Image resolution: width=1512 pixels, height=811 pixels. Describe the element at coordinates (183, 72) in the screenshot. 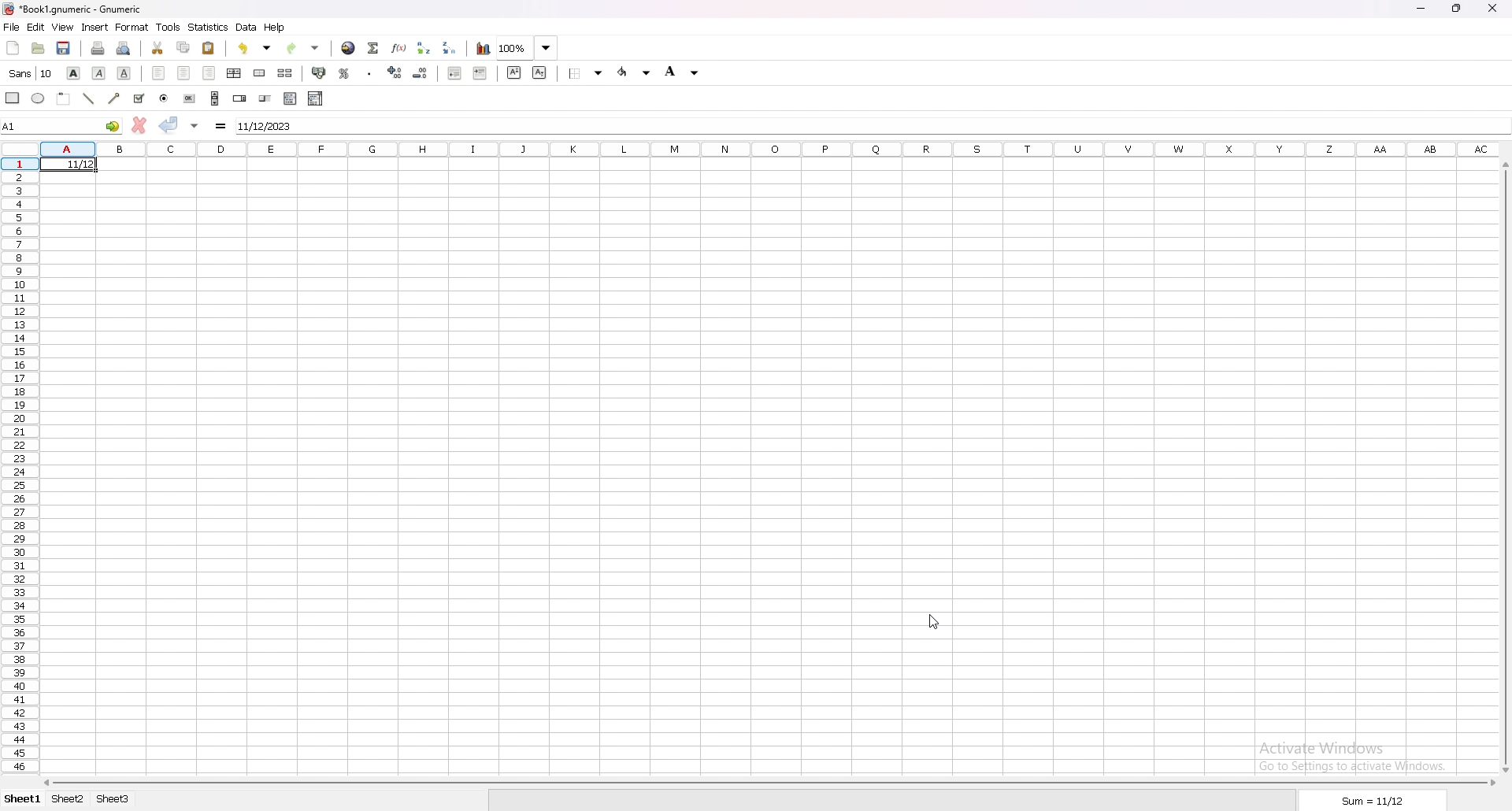

I see `centre` at that location.